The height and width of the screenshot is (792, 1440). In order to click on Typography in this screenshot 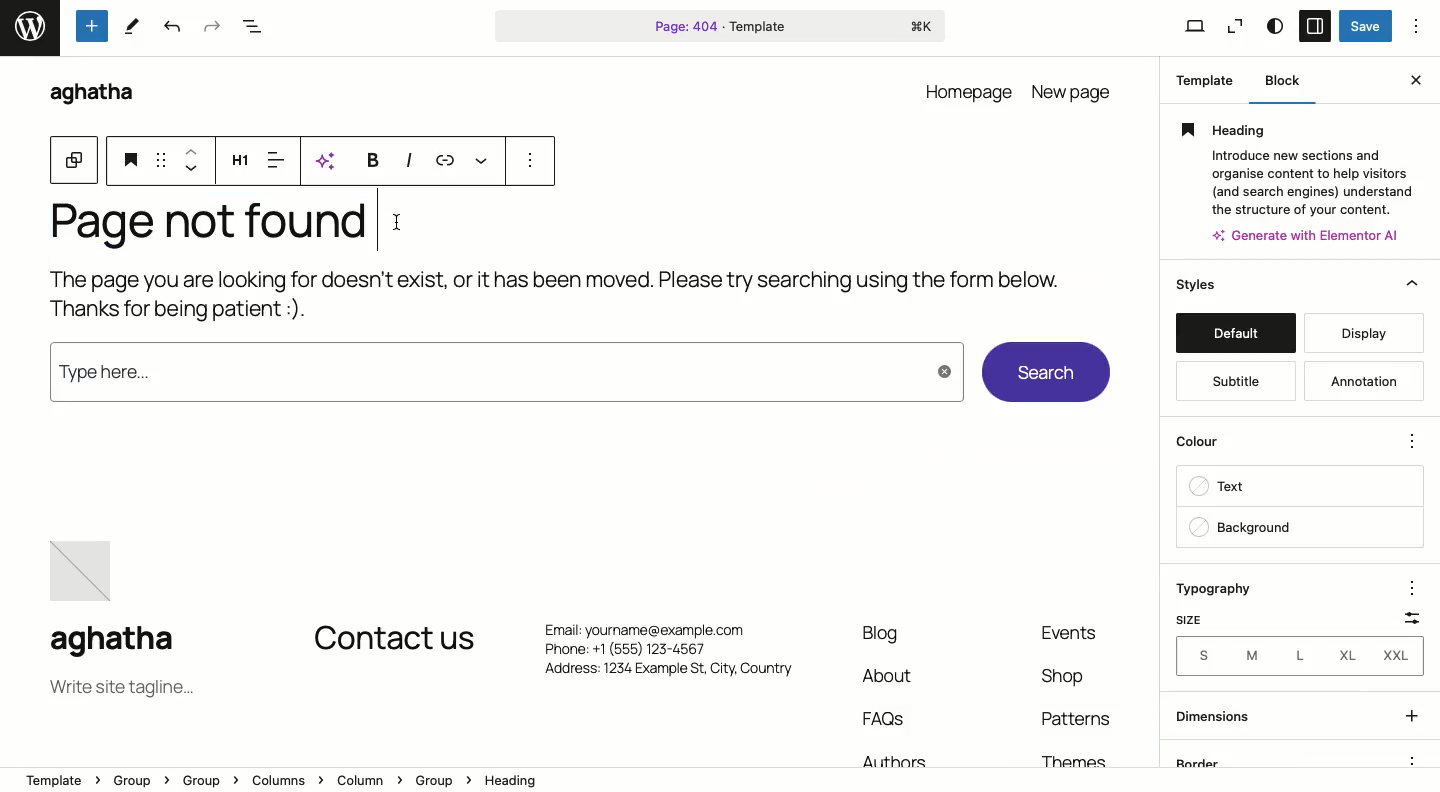, I will do `click(1217, 587)`.